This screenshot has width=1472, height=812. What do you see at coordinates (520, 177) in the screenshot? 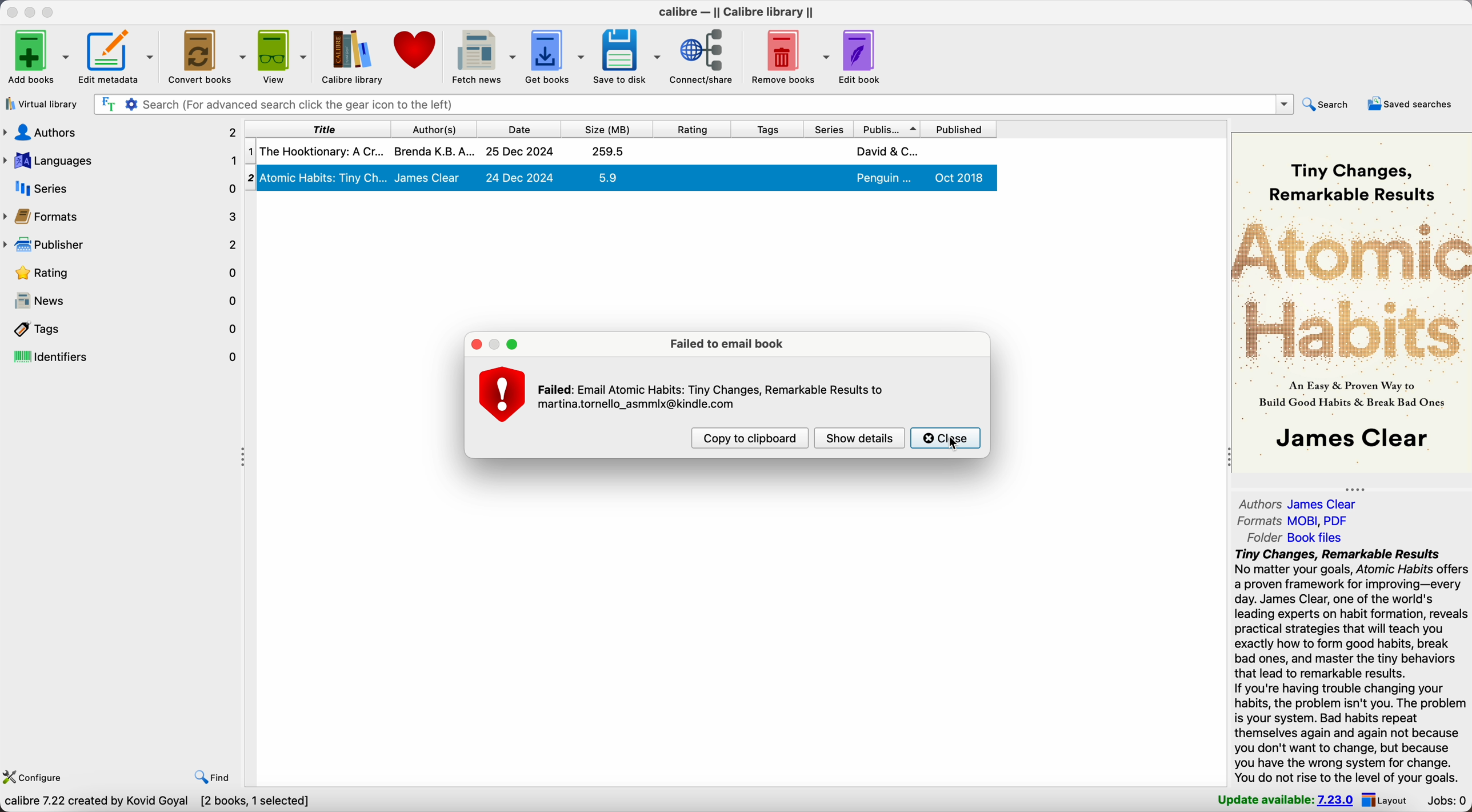
I see `24 Dec 2024` at bounding box center [520, 177].